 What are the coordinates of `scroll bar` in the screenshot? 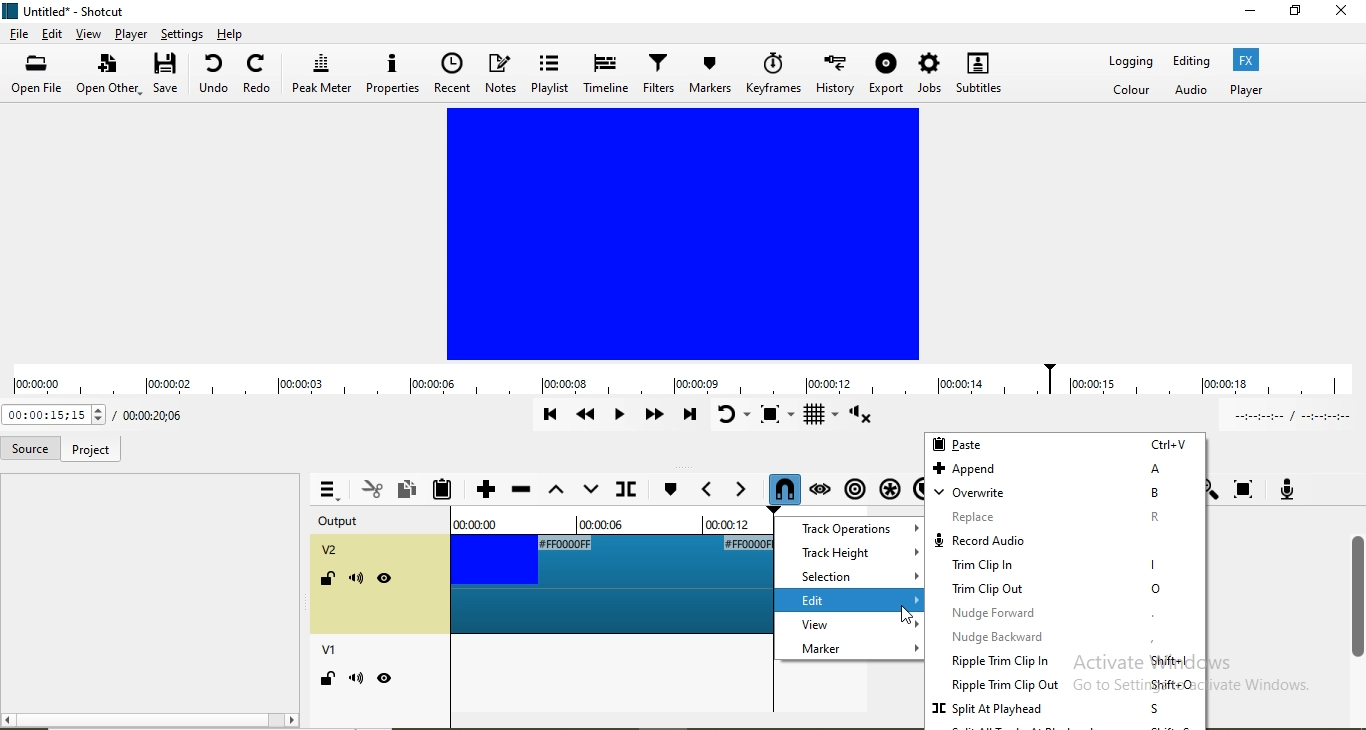 It's located at (1357, 590).